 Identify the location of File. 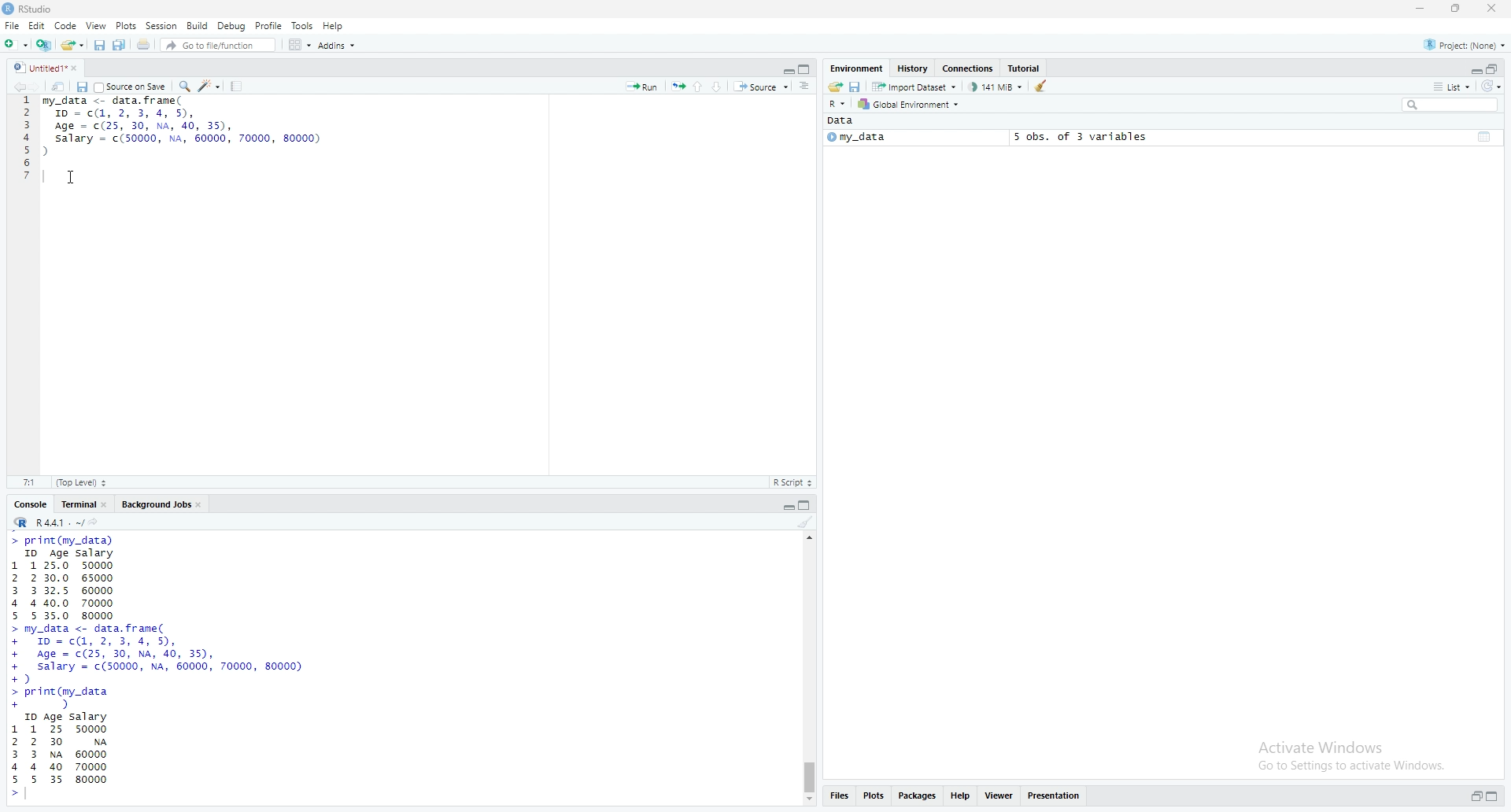
(13, 25).